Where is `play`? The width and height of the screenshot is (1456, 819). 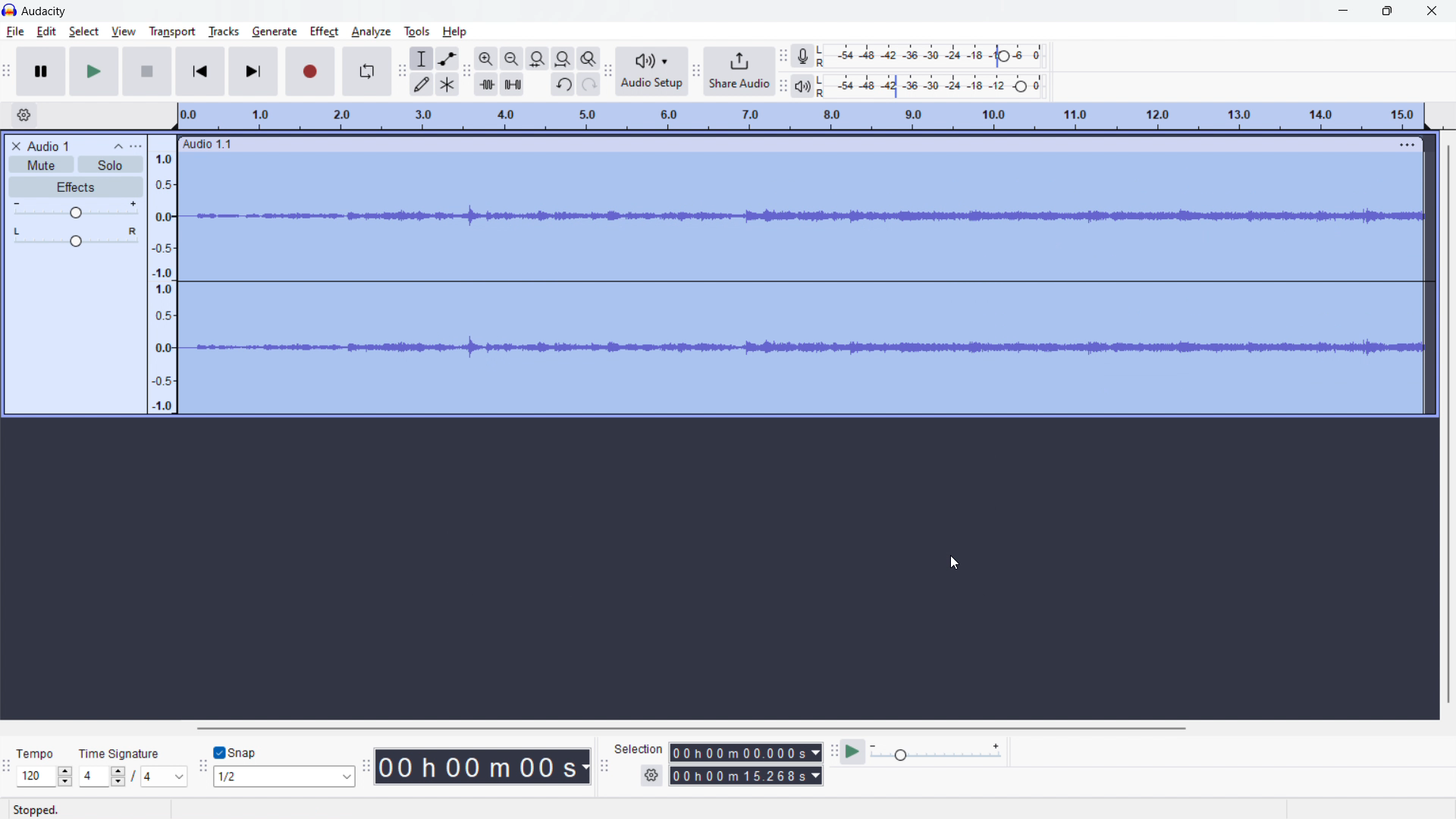 play is located at coordinates (94, 71).